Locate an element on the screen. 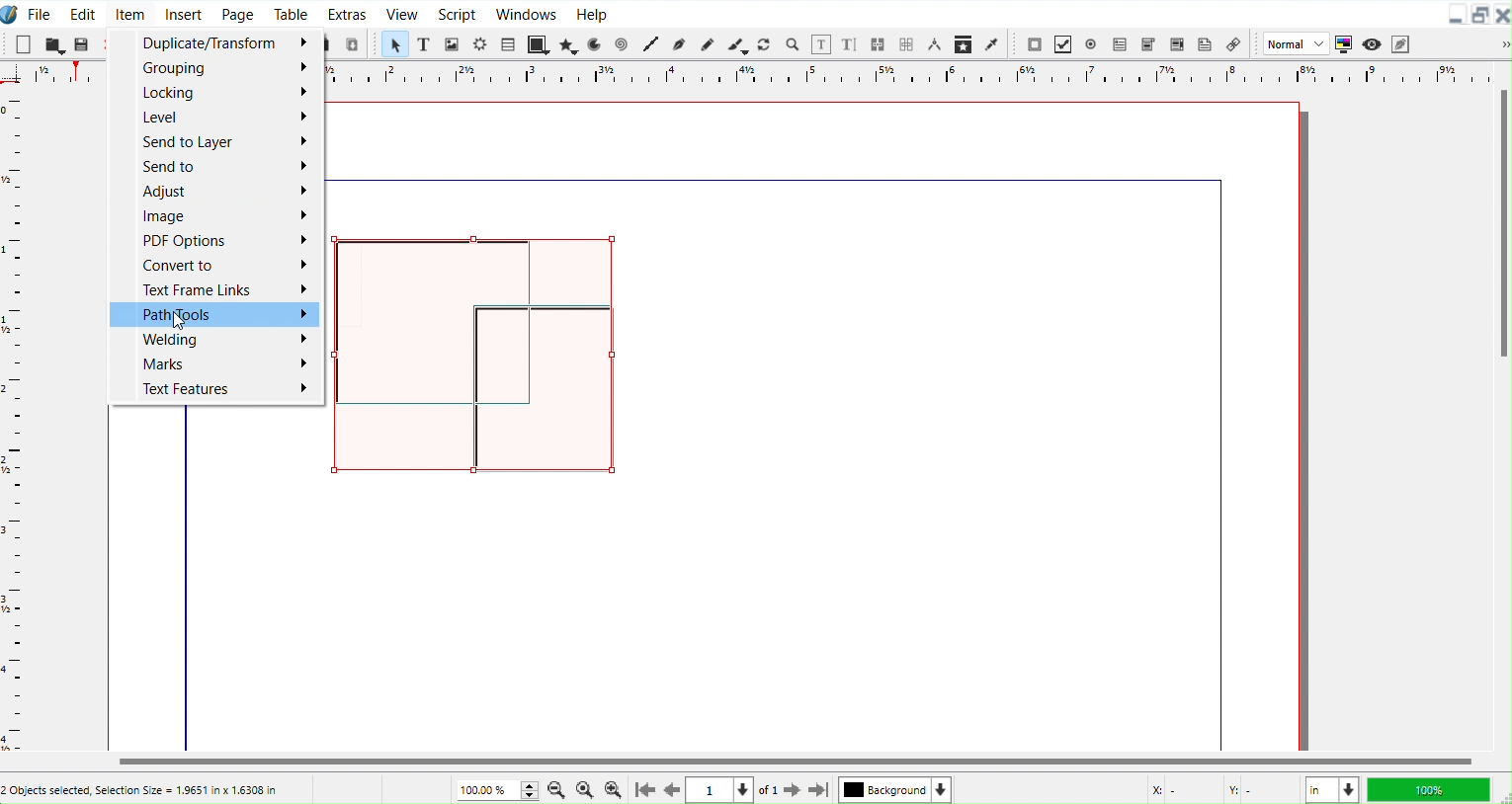 The width and height of the screenshot is (1512, 804). Extras is located at coordinates (348, 13).